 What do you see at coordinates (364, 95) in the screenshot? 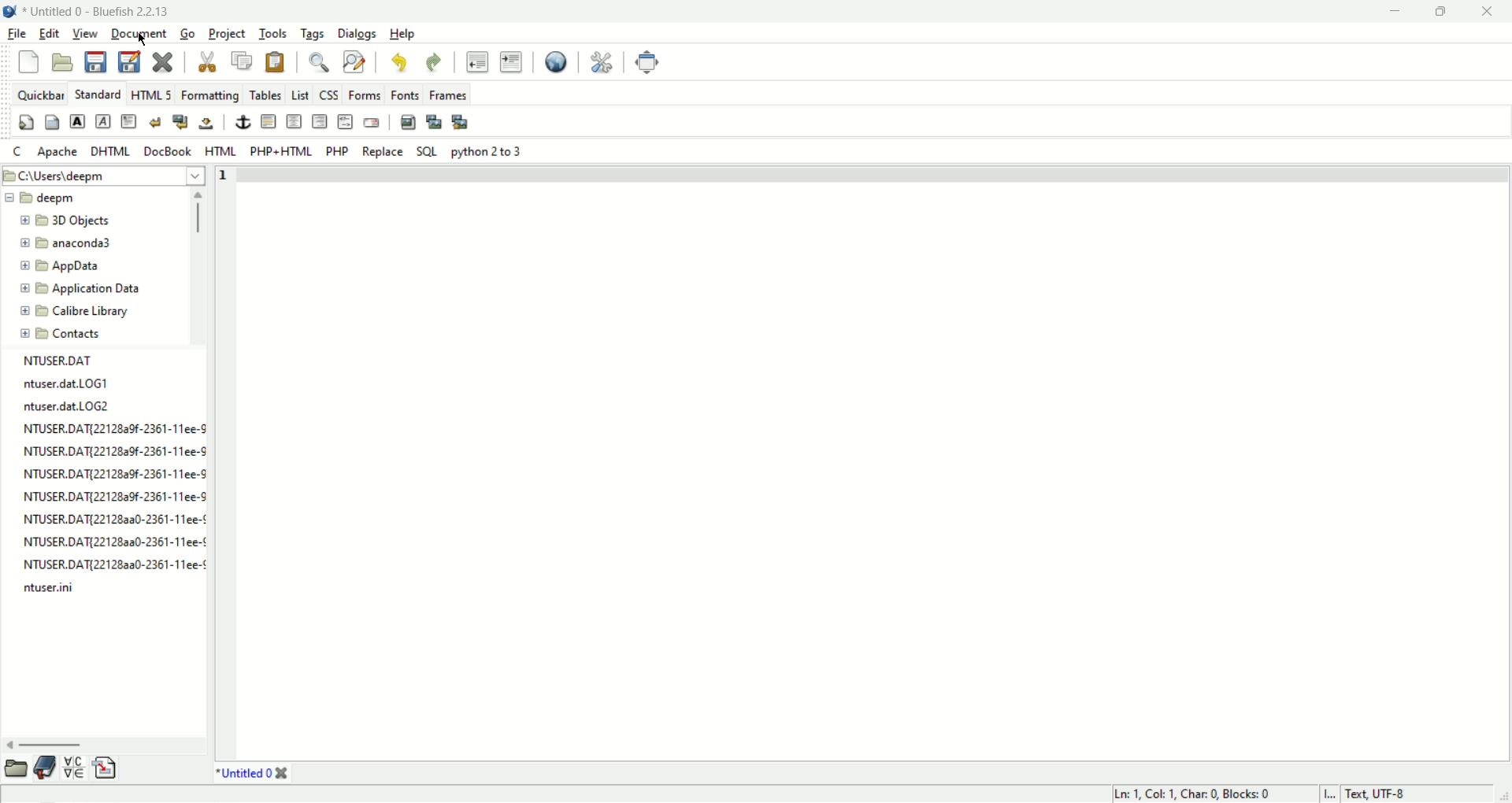
I see `forms` at bounding box center [364, 95].